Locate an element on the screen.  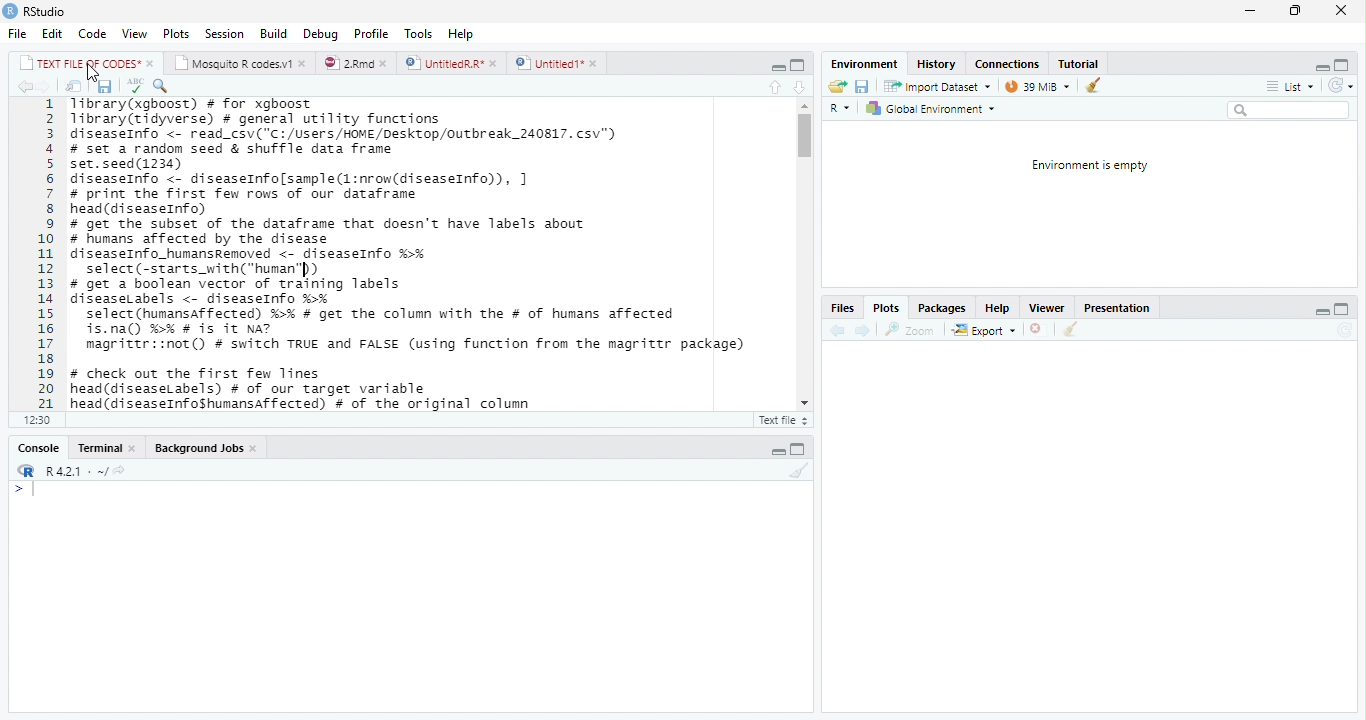
R 4.2.1 .~/ is located at coordinates (74, 470).